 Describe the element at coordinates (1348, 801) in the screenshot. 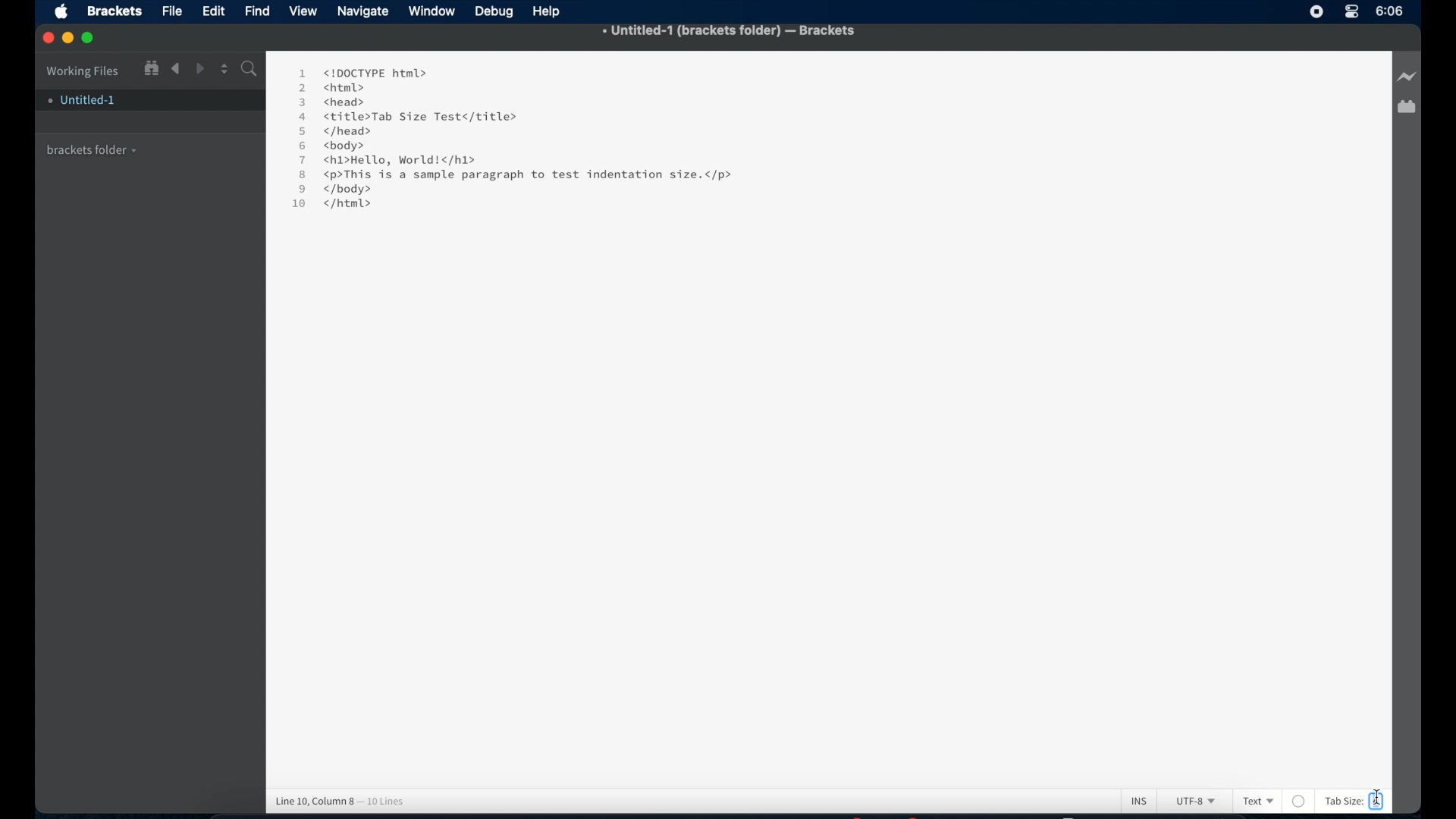

I see `Tab Size` at that location.